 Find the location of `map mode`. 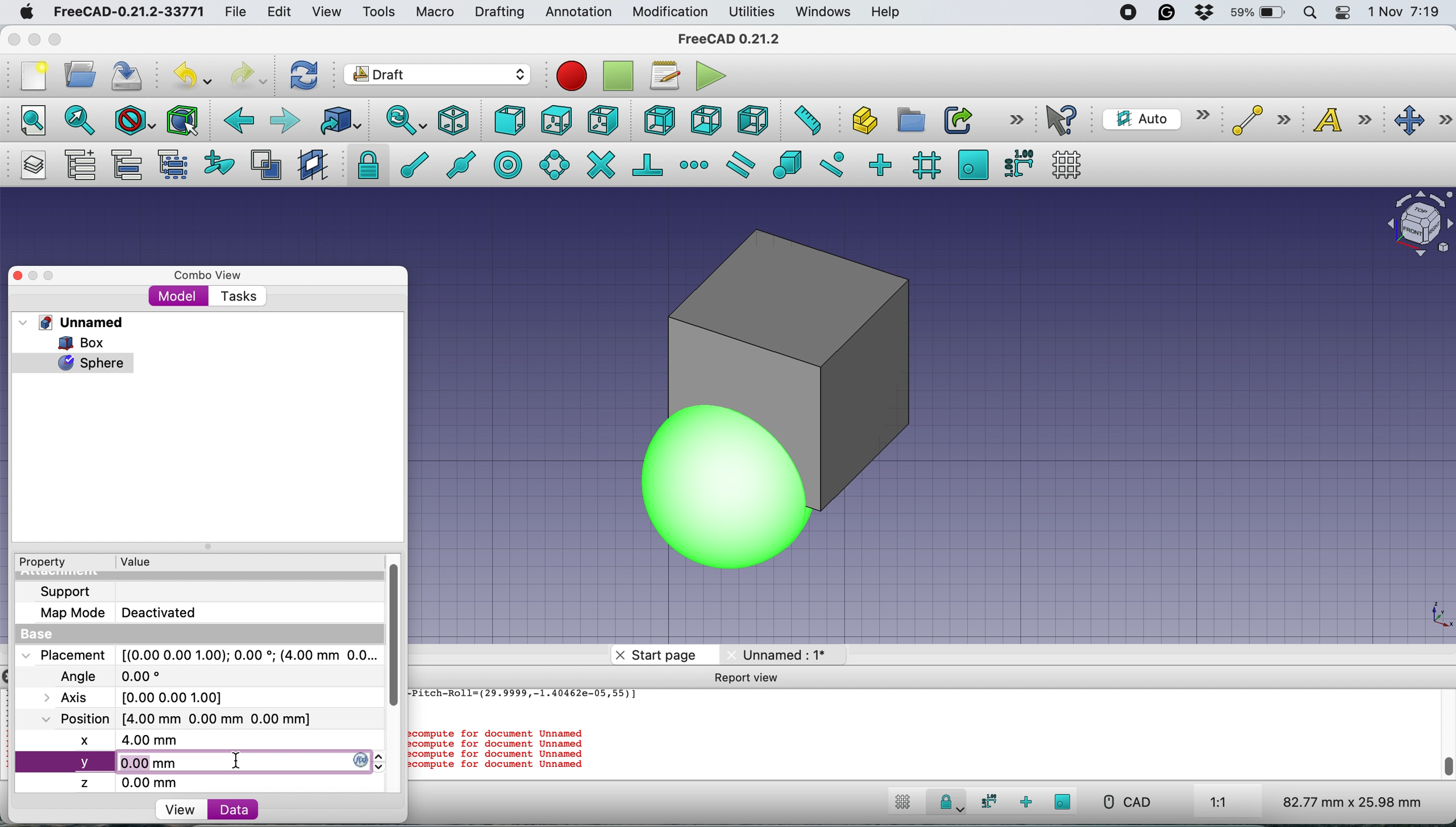

map mode is located at coordinates (125, 612).